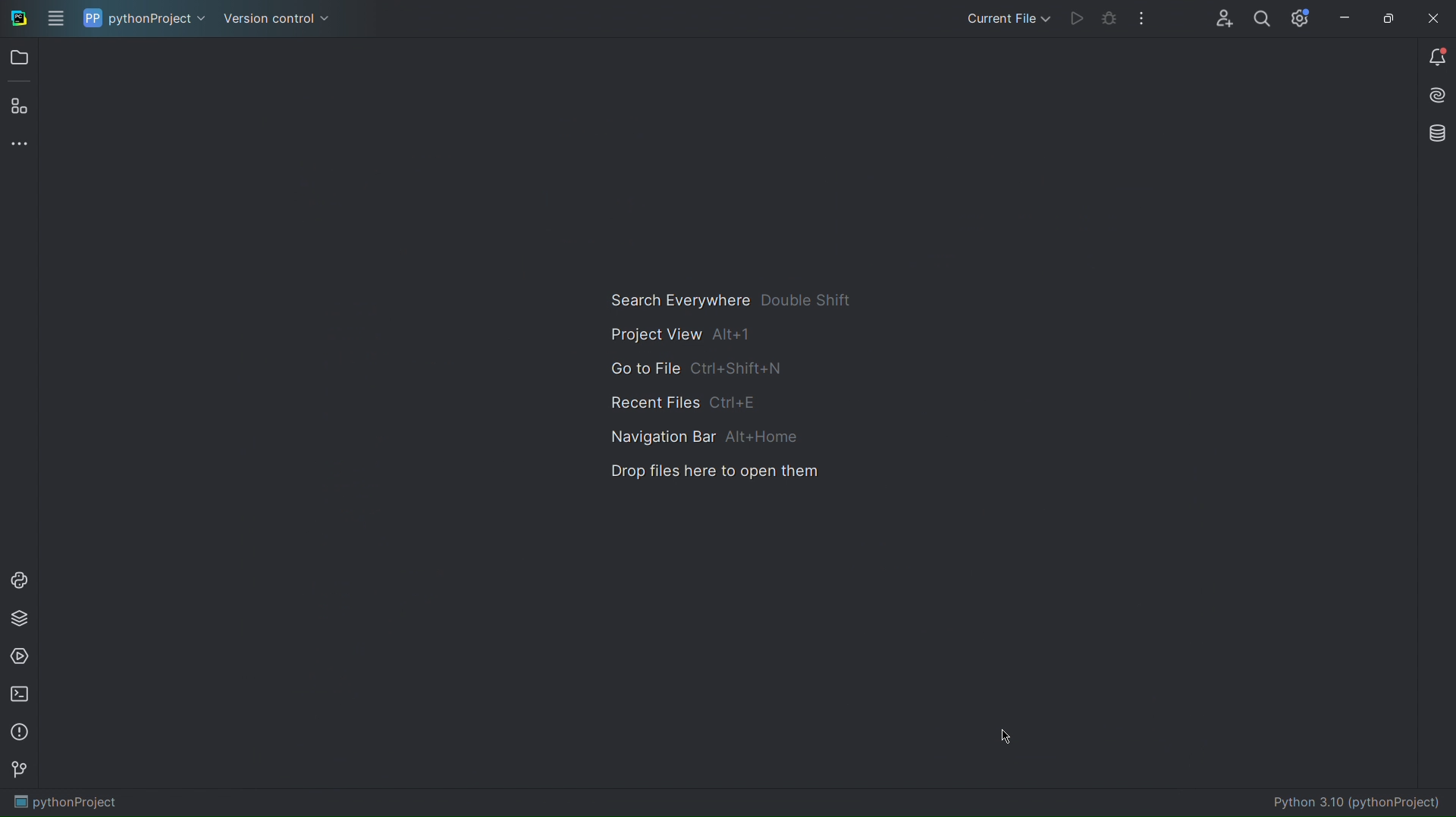  I want to click on Account, so click(1230, 19).